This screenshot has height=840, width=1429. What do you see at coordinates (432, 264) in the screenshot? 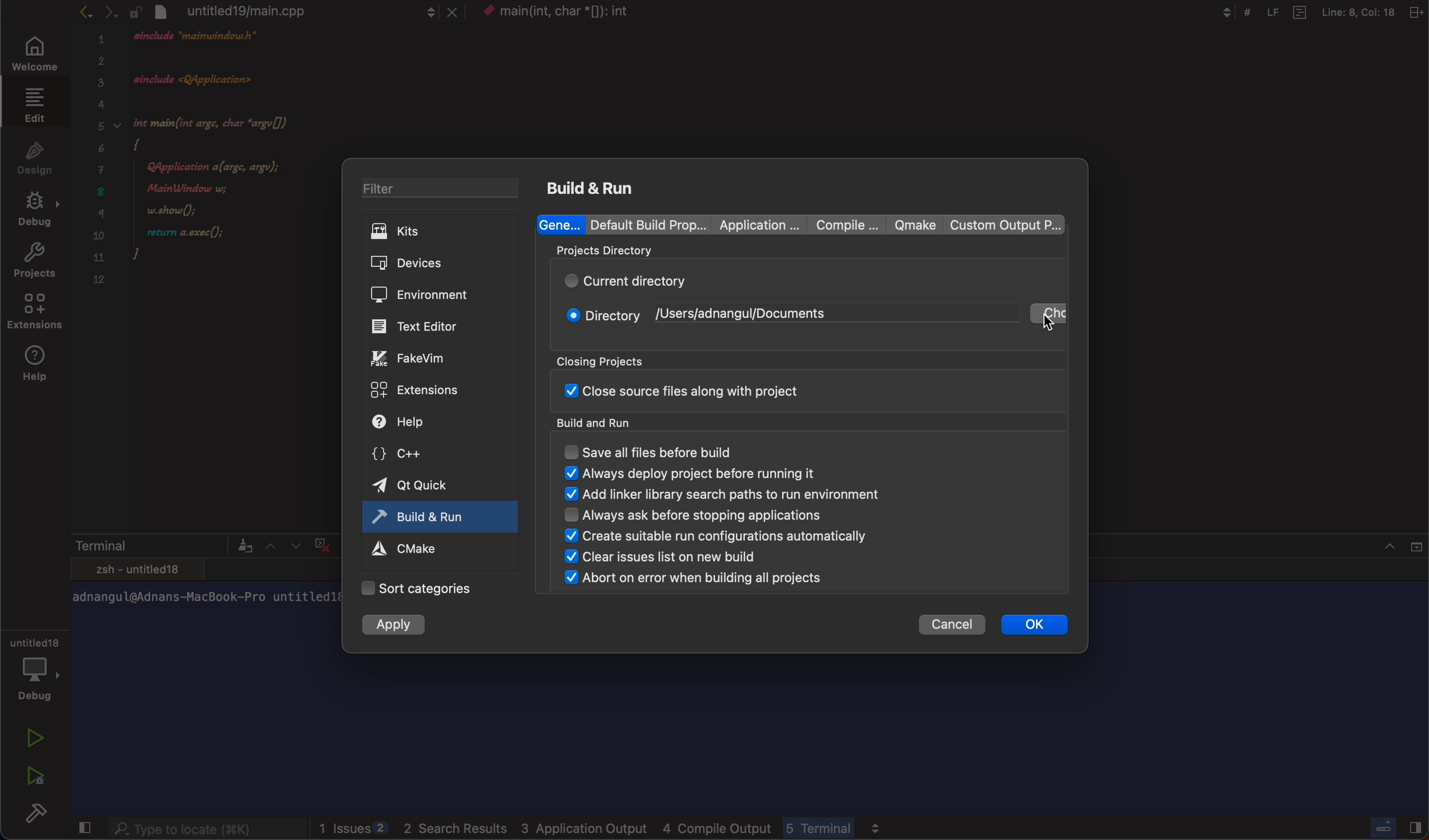
I see `devices` at bounding box center [432, 264].